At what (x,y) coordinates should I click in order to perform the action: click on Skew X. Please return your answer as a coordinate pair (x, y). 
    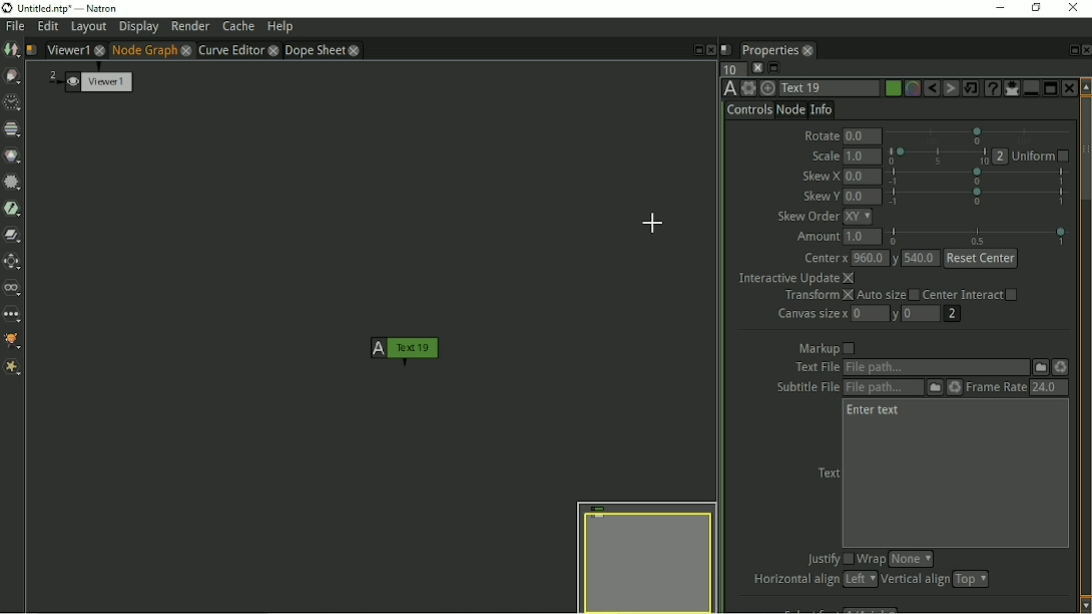
    Looking at the image, I should click on (821, 176).